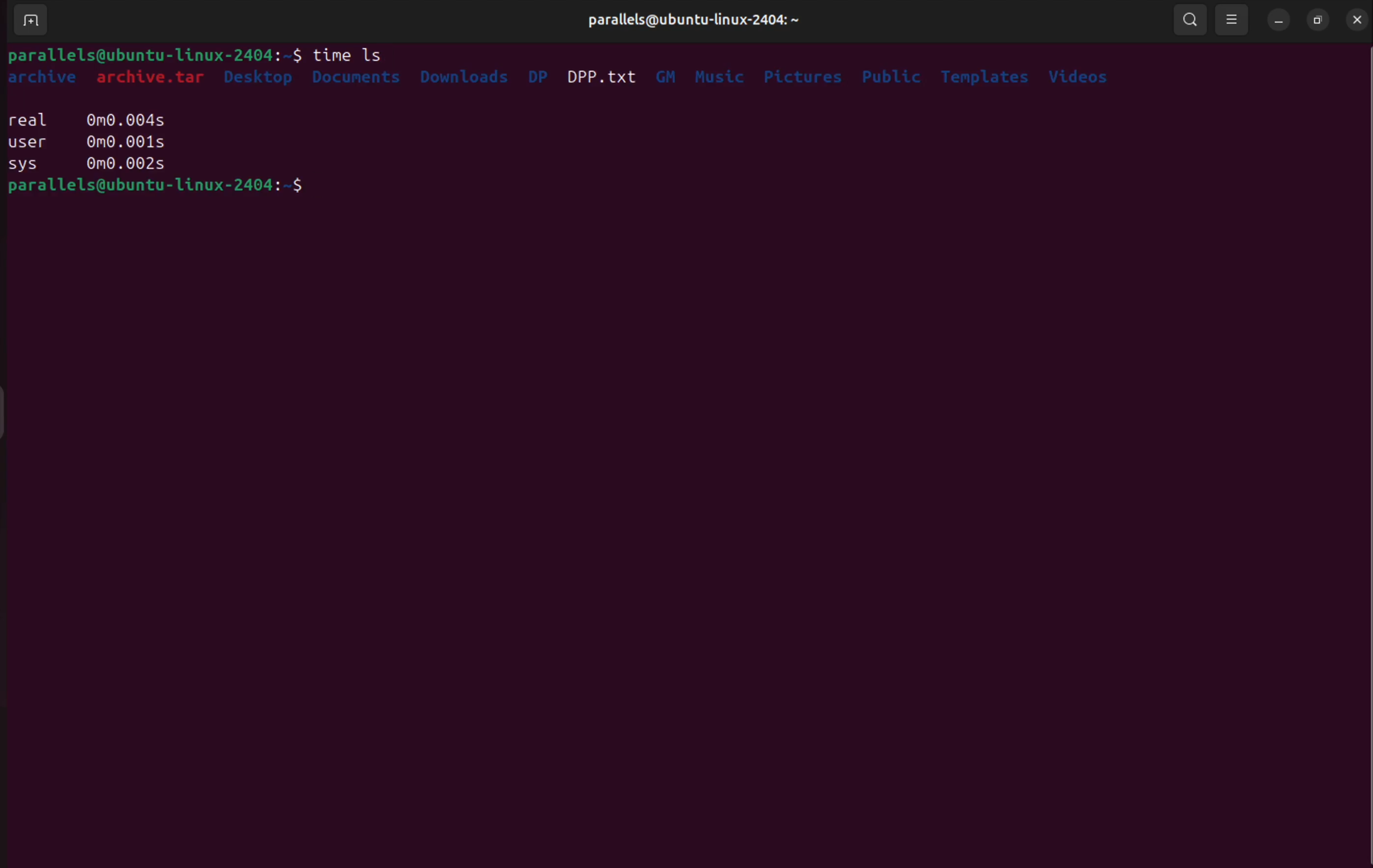  Describe the element at coordinates (49, 77) in the screenshot. I see `archive` at that location.